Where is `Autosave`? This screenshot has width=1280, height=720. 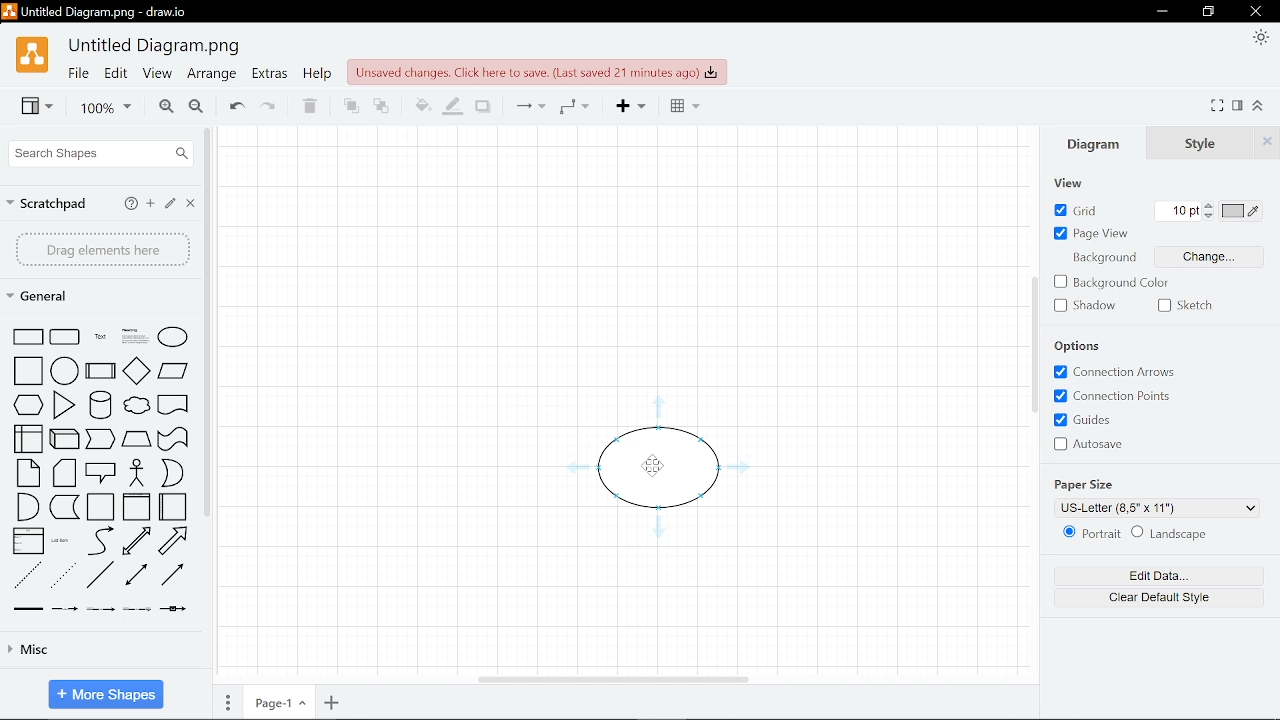 Autosave is located at coordinates (1095, 443).